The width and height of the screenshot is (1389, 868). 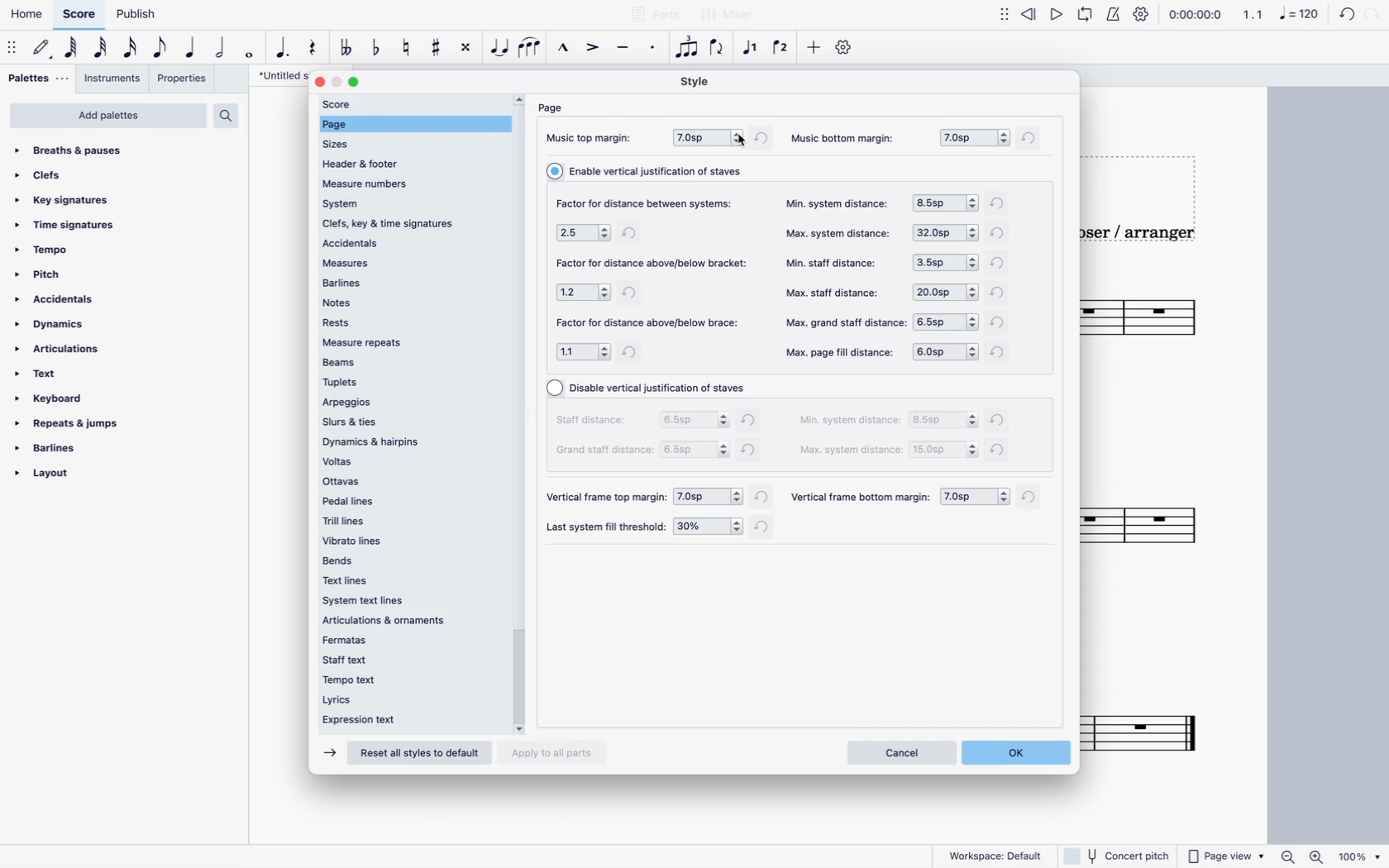 I want to click on minimize, so click(x=338, y=81).